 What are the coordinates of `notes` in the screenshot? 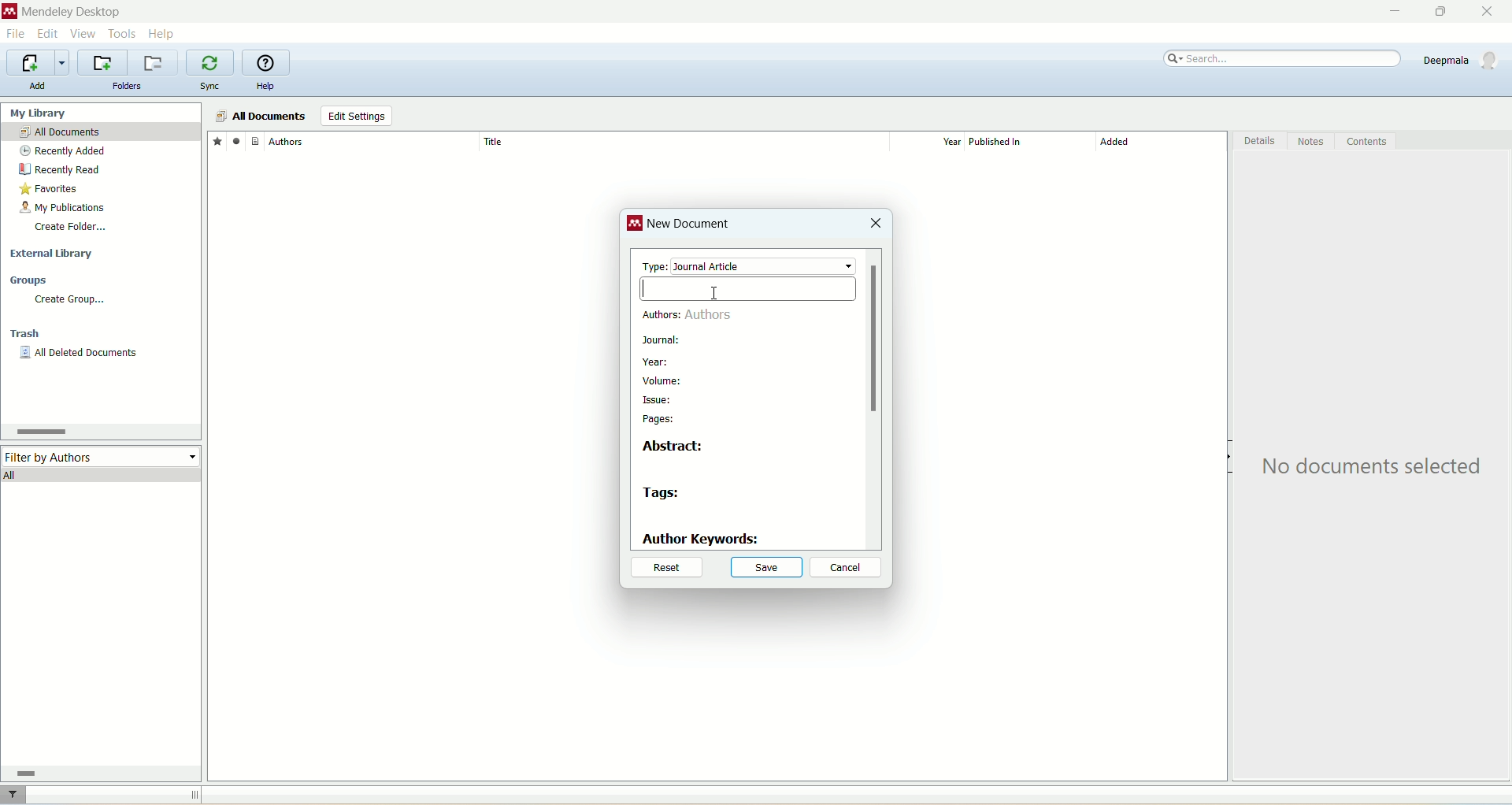 It's located at (1313, 142).